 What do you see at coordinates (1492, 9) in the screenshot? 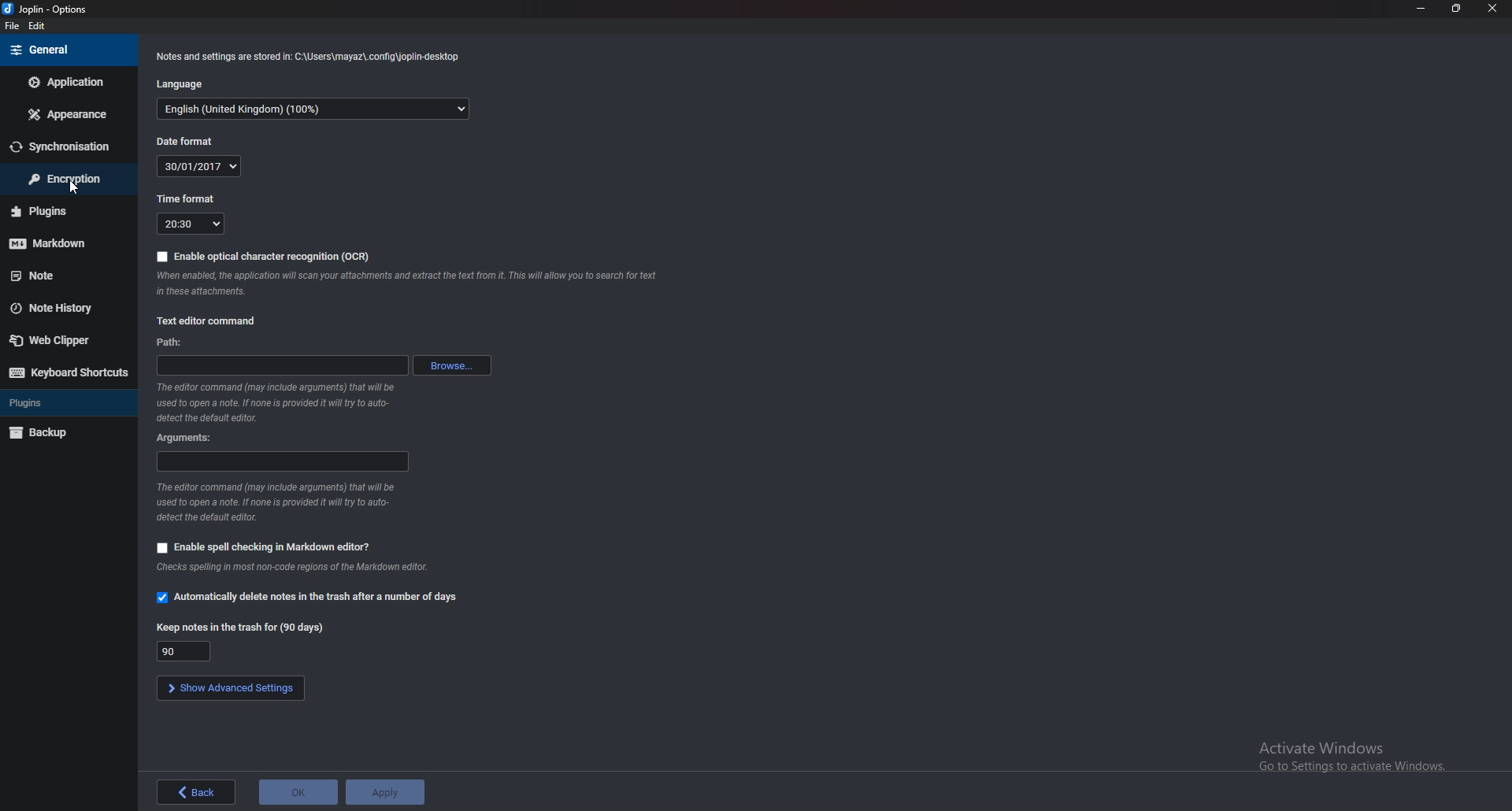
I see `close` at bounding box center [1492, 9].